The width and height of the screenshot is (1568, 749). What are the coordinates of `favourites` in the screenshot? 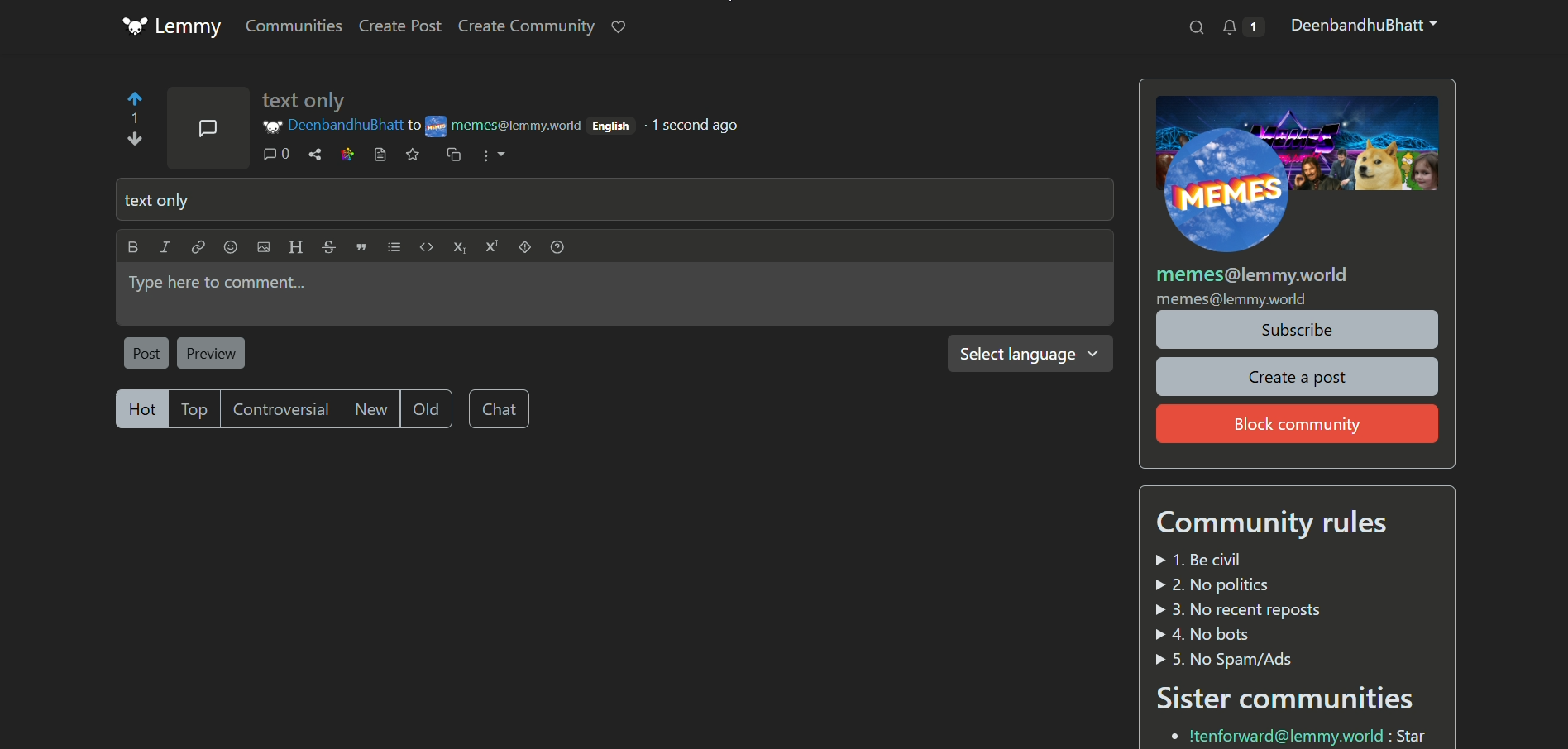 It's located at (622, 26).